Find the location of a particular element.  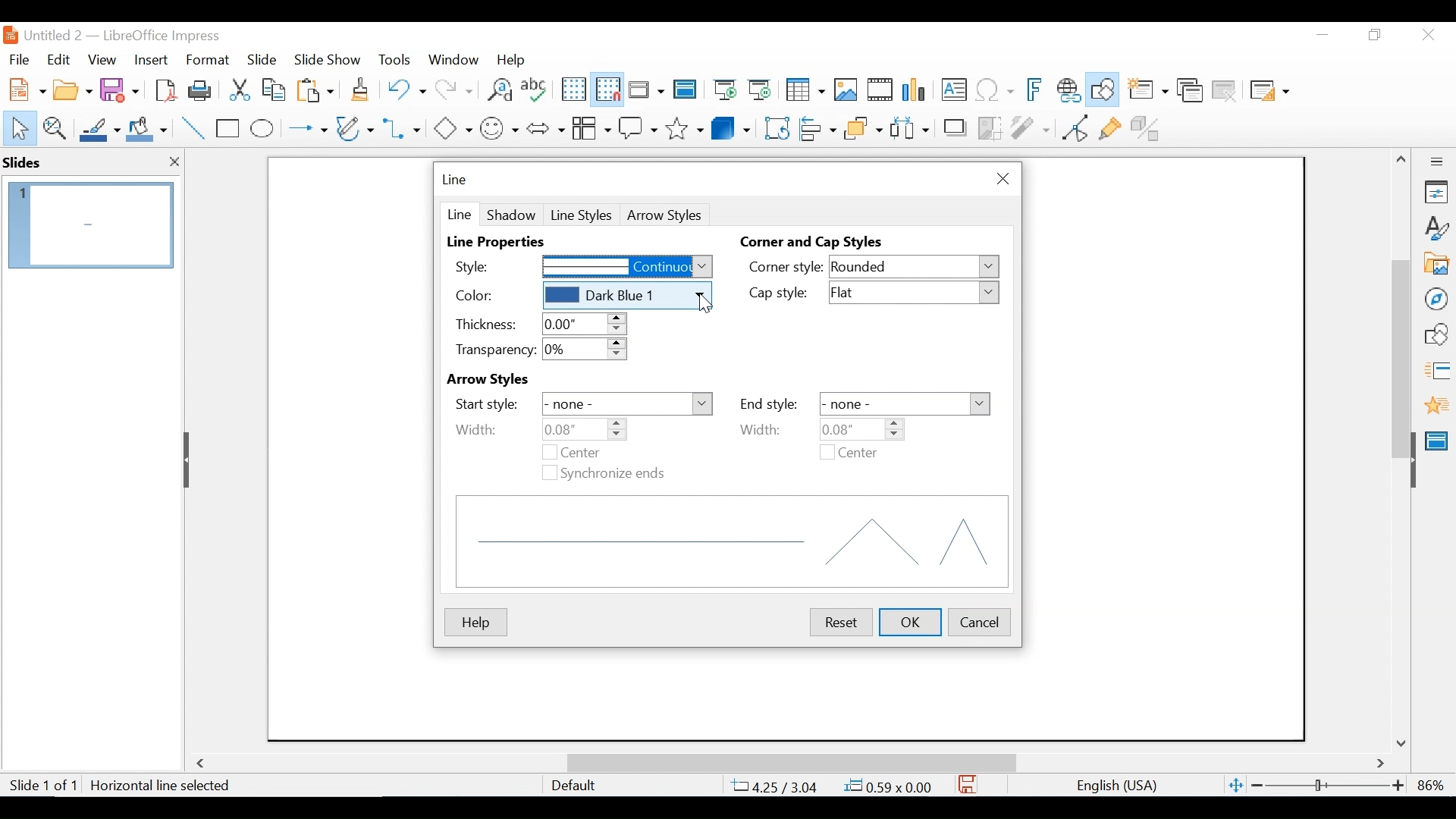

Cut is located at coordinates (238, 89).